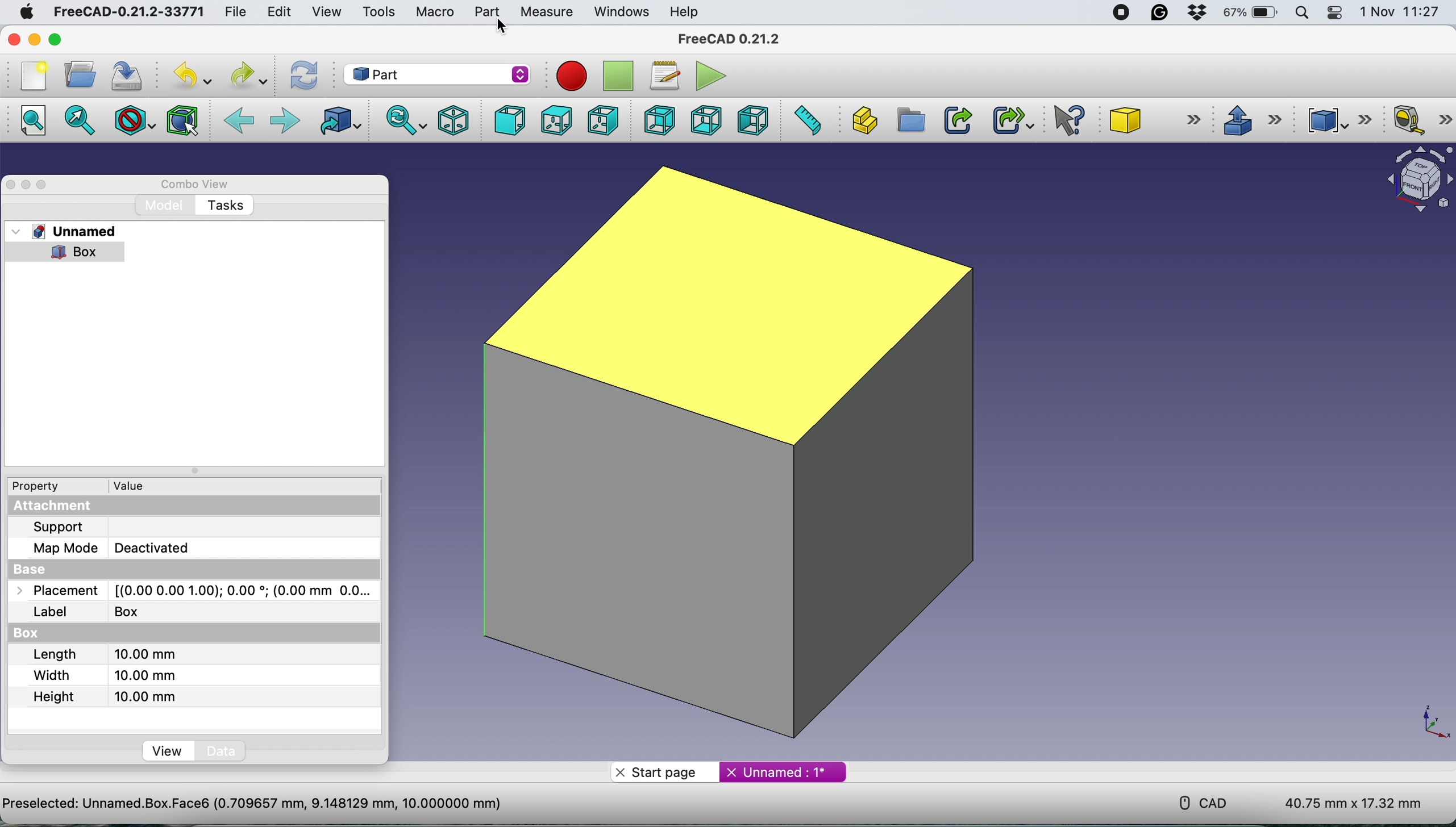 This screenshot has width=1456, height=827. Describe the element at coordinates (658, 772) in the screenshot. I see `start page` at that location.